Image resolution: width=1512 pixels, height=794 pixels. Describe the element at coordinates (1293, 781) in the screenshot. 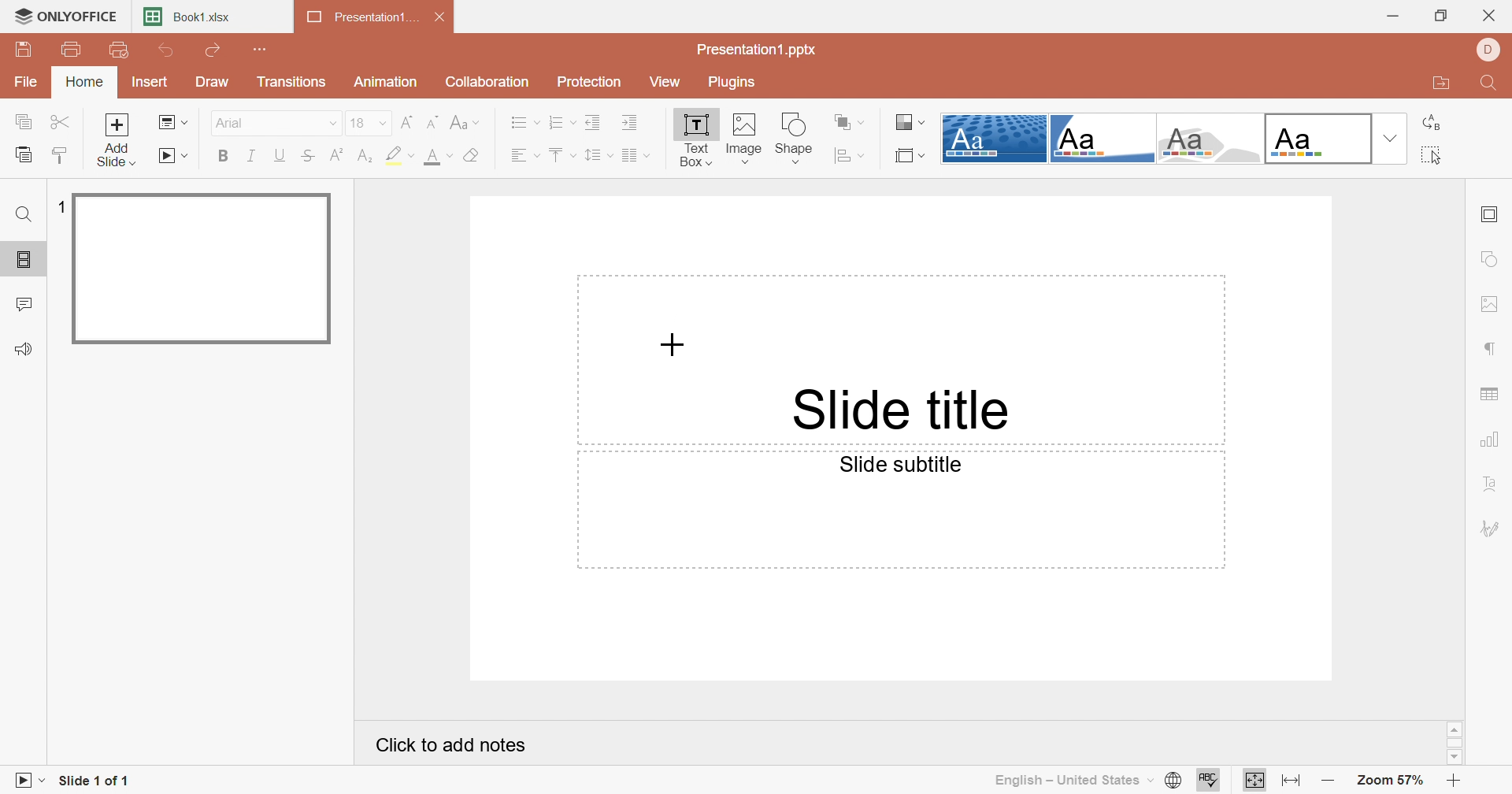

I see `Fit to width` at that location.